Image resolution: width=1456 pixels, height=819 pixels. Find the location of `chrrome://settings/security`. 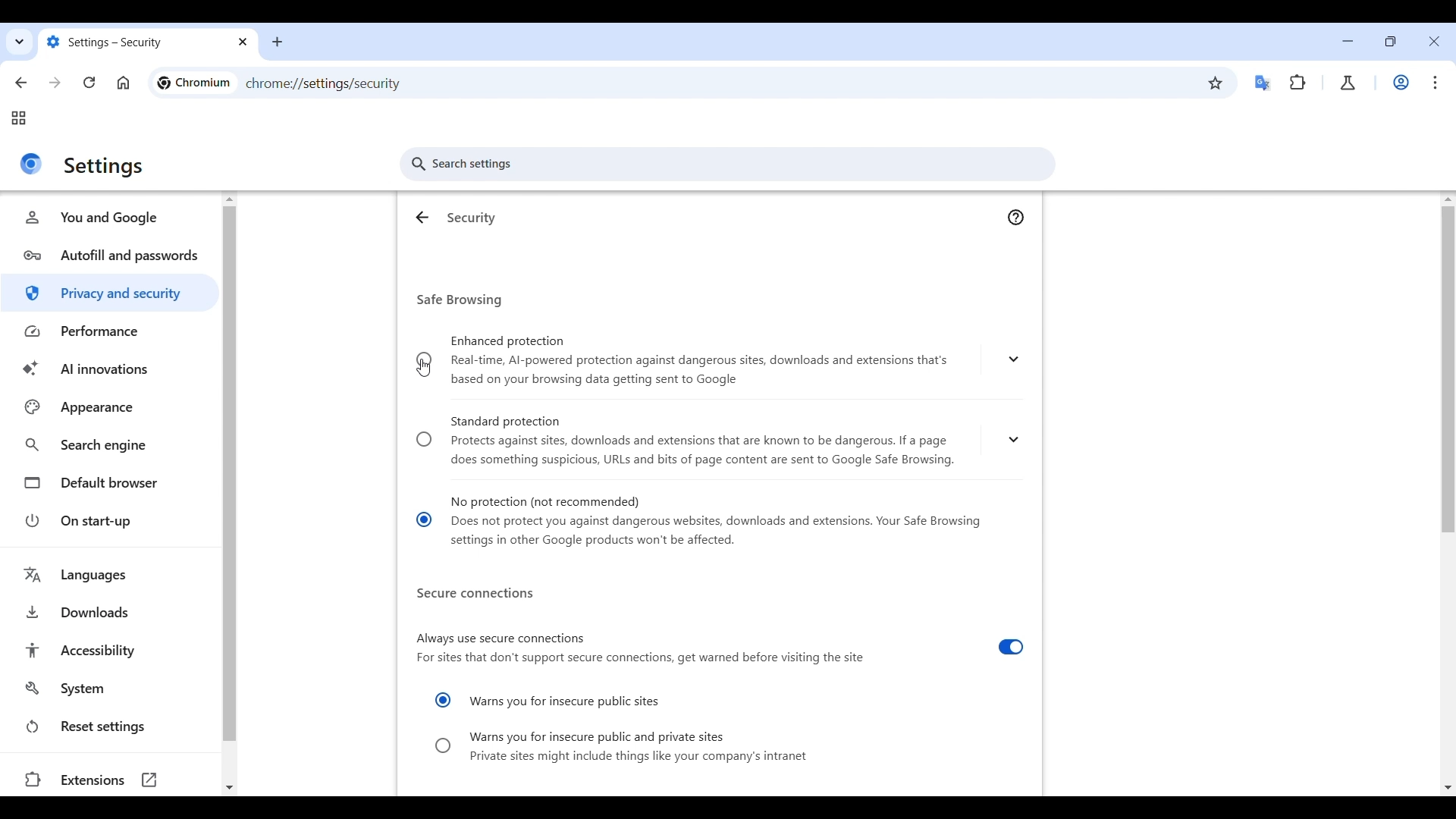

chrrome://settings/security is located at coordinates (324, 85).